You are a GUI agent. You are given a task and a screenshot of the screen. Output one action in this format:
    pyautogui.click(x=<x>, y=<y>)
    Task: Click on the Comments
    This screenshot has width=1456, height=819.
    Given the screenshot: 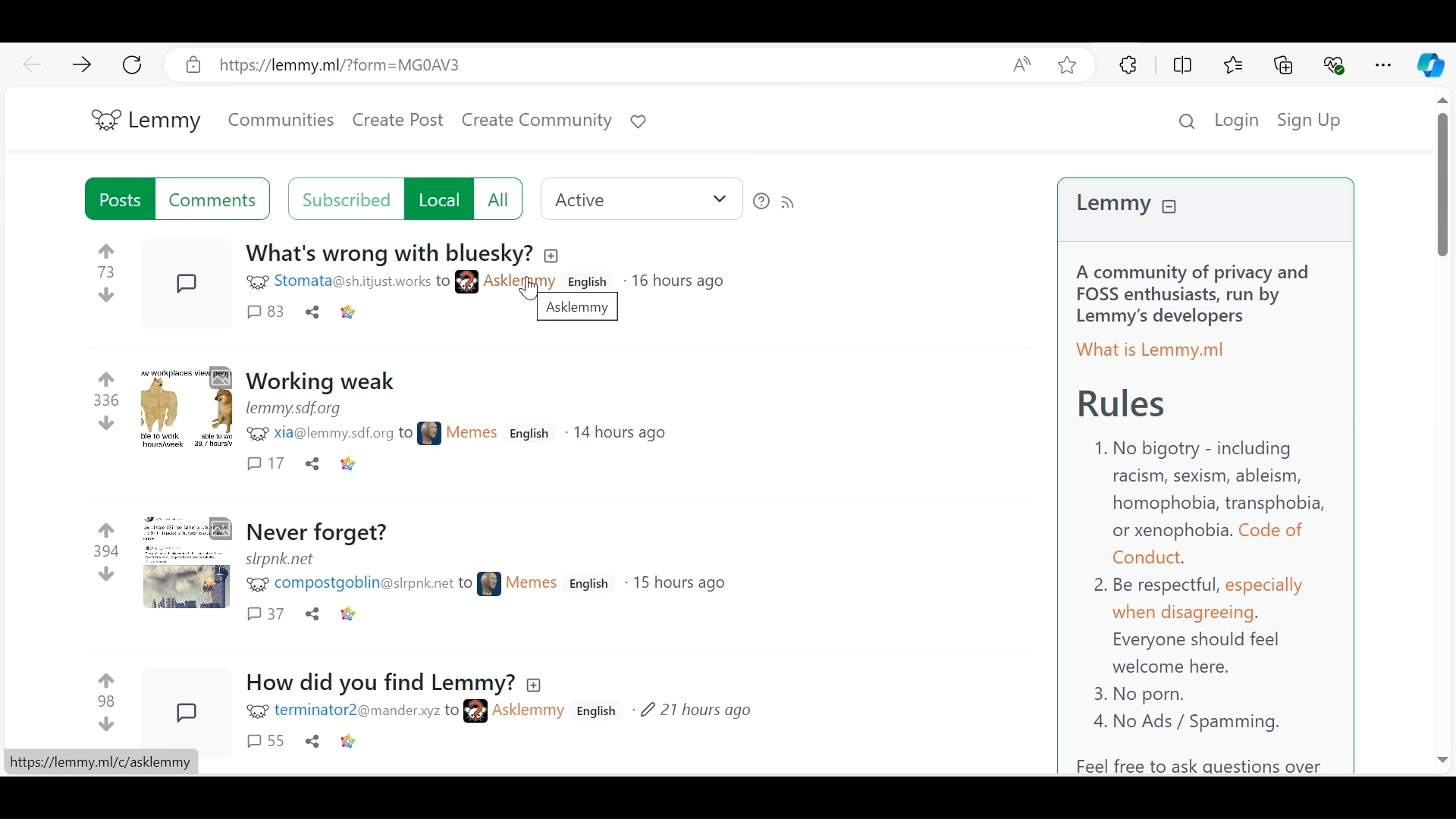 What is the action you would take?
    pyautogui.click(x=215, y=199)
    